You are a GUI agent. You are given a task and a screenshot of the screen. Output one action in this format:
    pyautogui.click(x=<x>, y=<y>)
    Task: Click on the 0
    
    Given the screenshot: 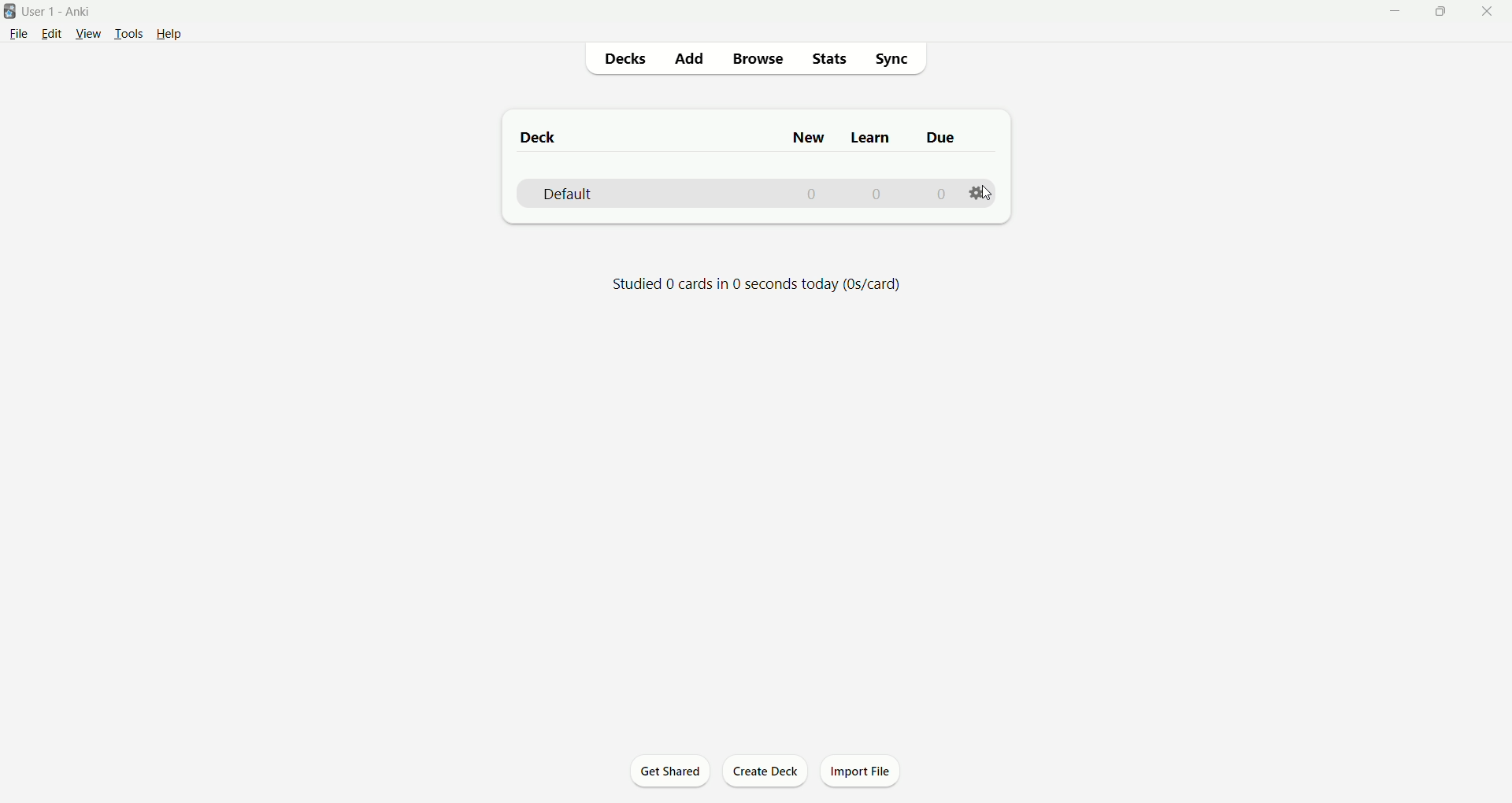 What is the action you would take?
    pyautogui.click(x=814, y=195)
    